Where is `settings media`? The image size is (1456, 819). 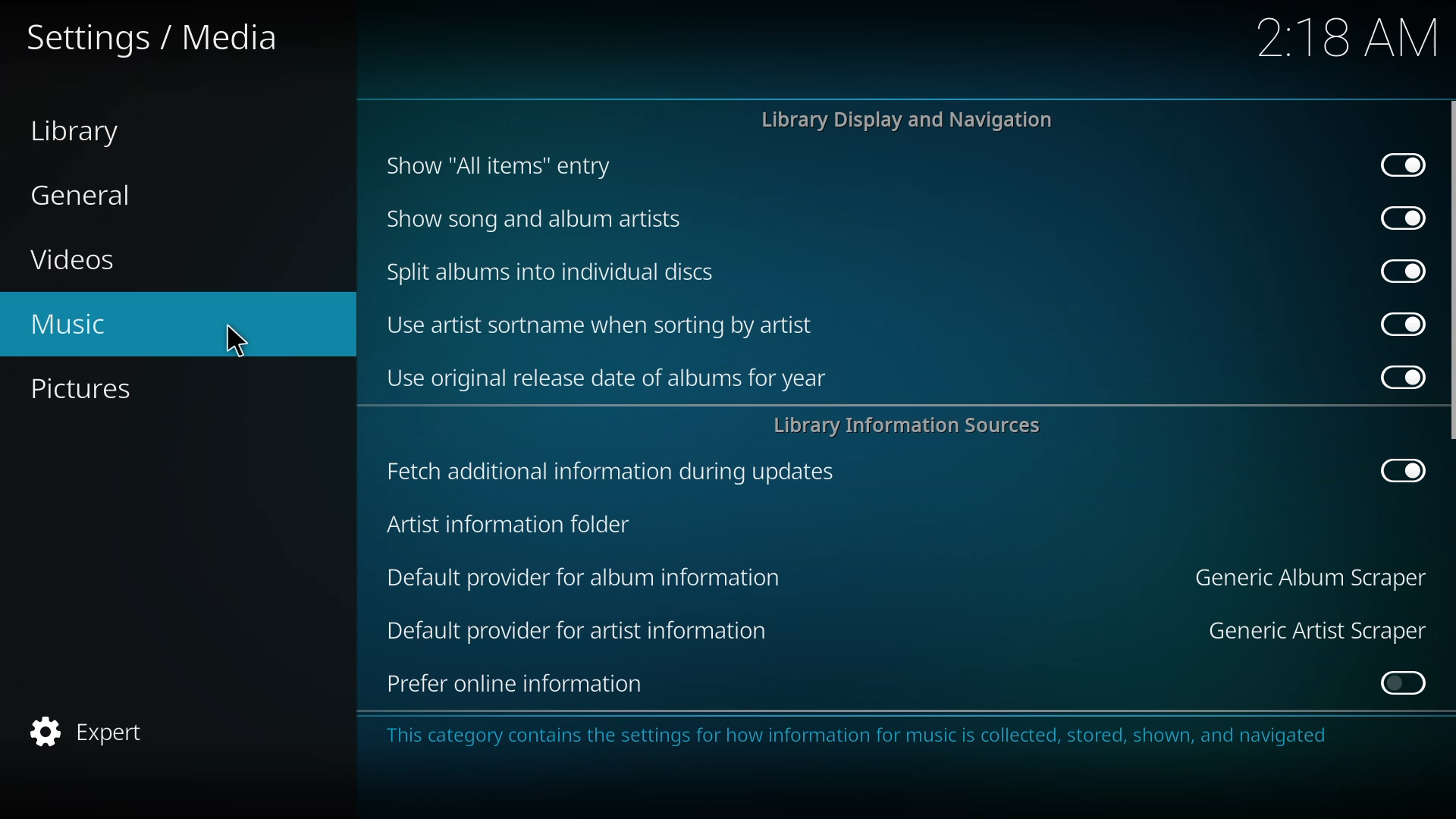 settings media is located at coordinates (158, 39).